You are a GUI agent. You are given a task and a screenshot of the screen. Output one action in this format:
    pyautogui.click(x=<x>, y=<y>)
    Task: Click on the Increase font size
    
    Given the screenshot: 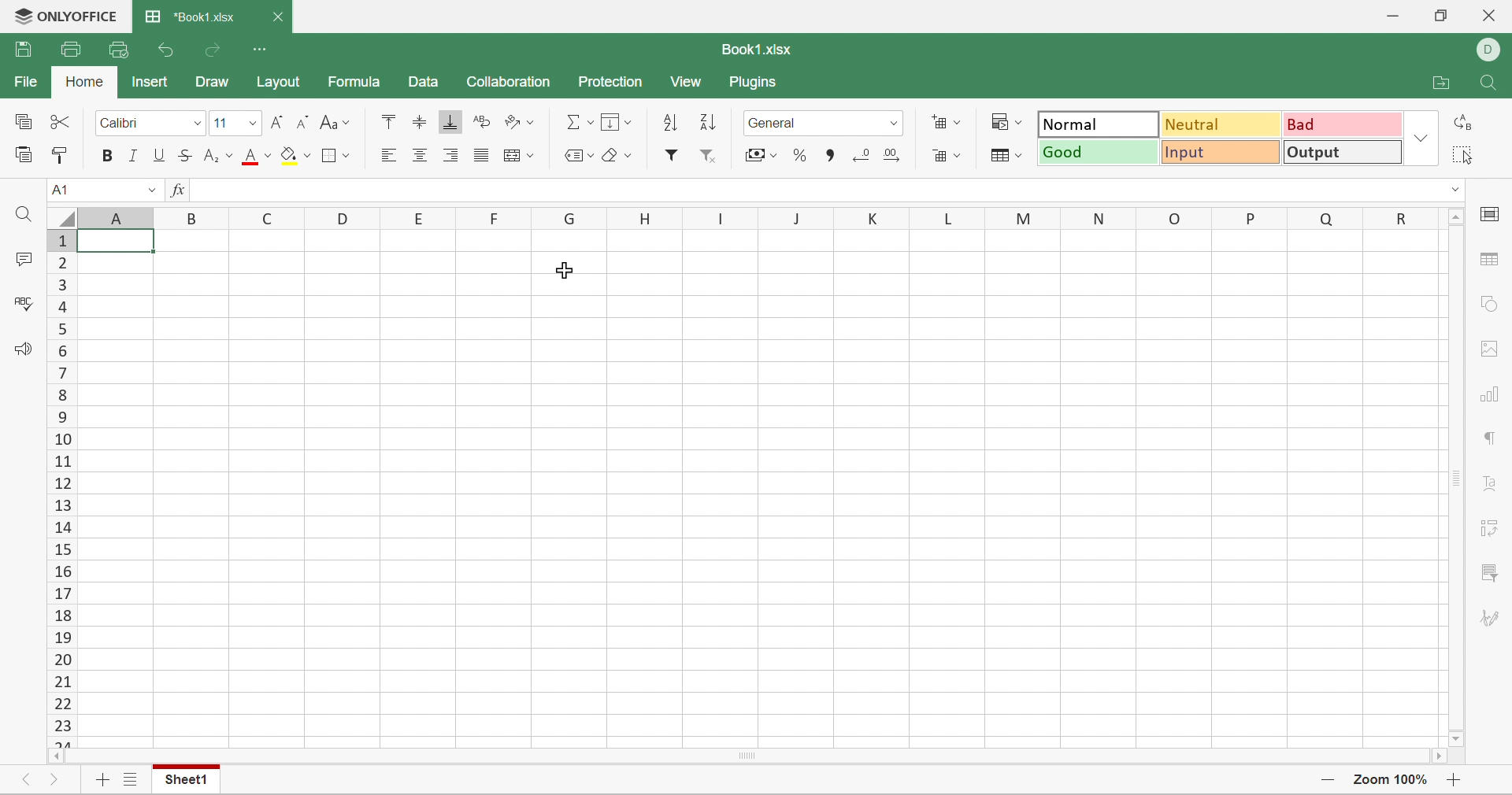 What is the action you would take?
    pyautogui.click(x=279, y=124)
    